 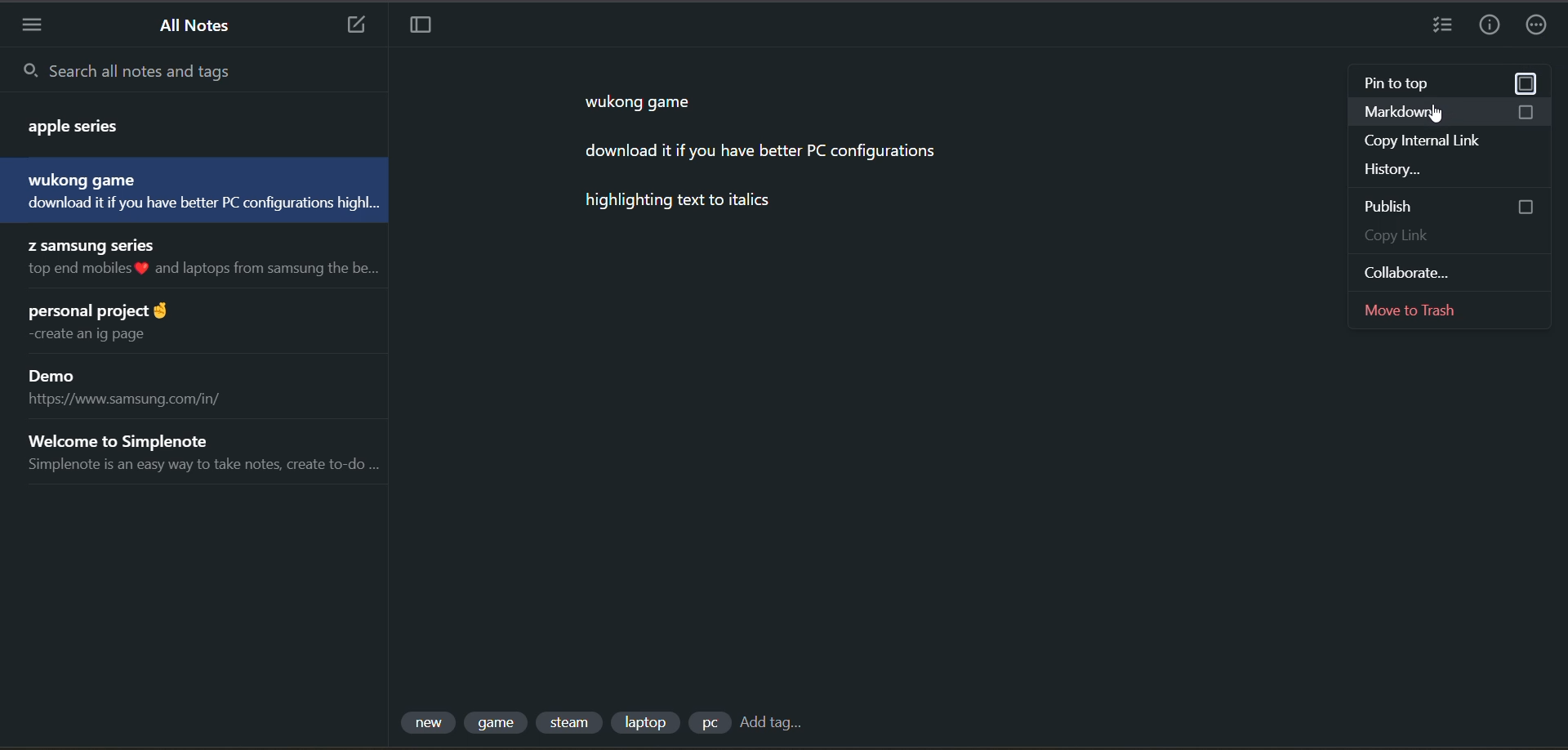 I want to click on collaborate, so click(x=1425, y=272).